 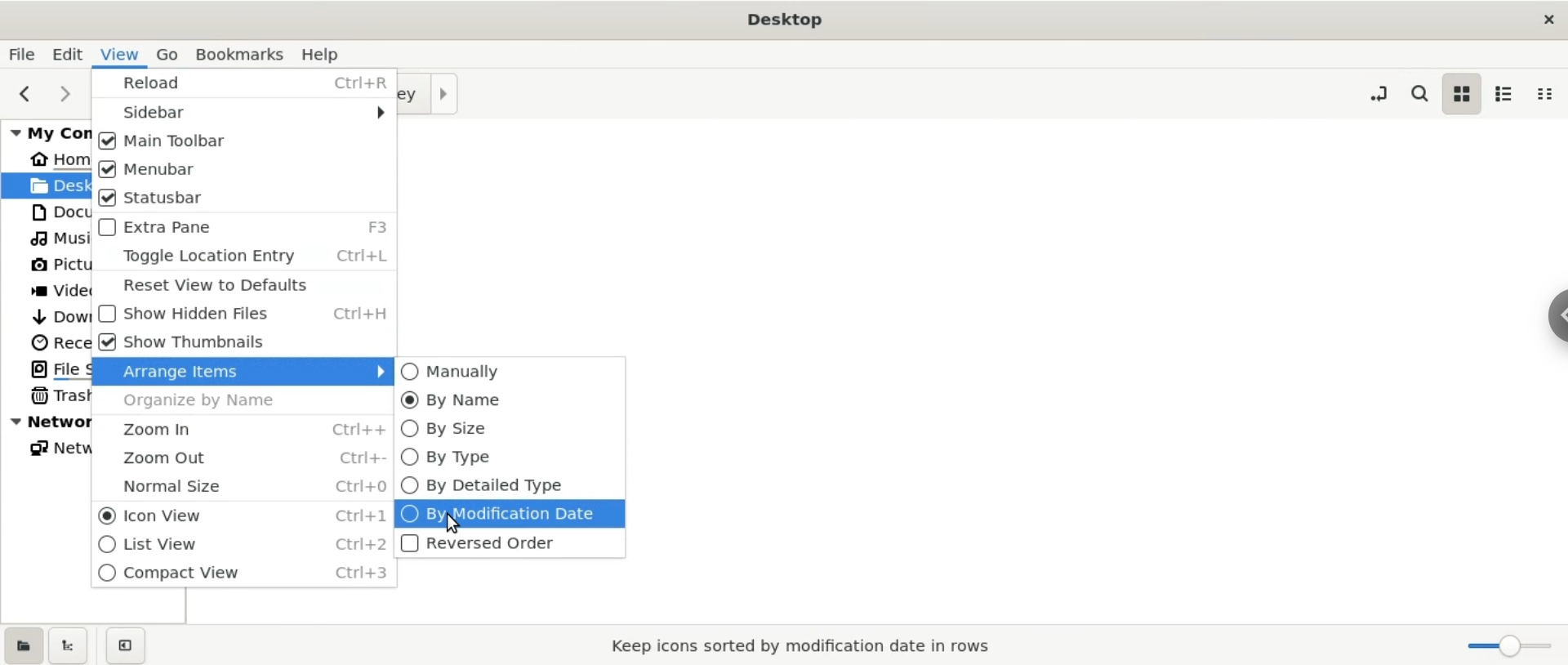 I want to click on zoom out, so click(x=245, y=459).